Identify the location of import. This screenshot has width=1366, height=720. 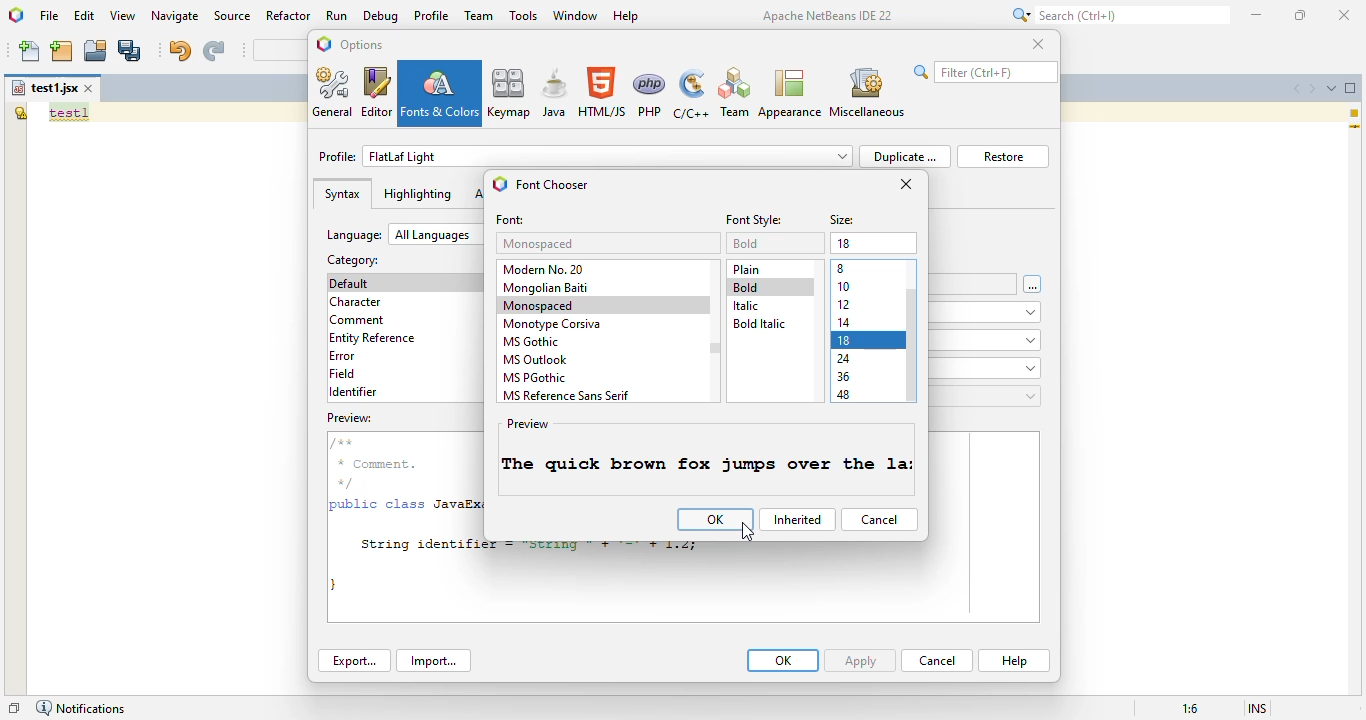
(435, 661).